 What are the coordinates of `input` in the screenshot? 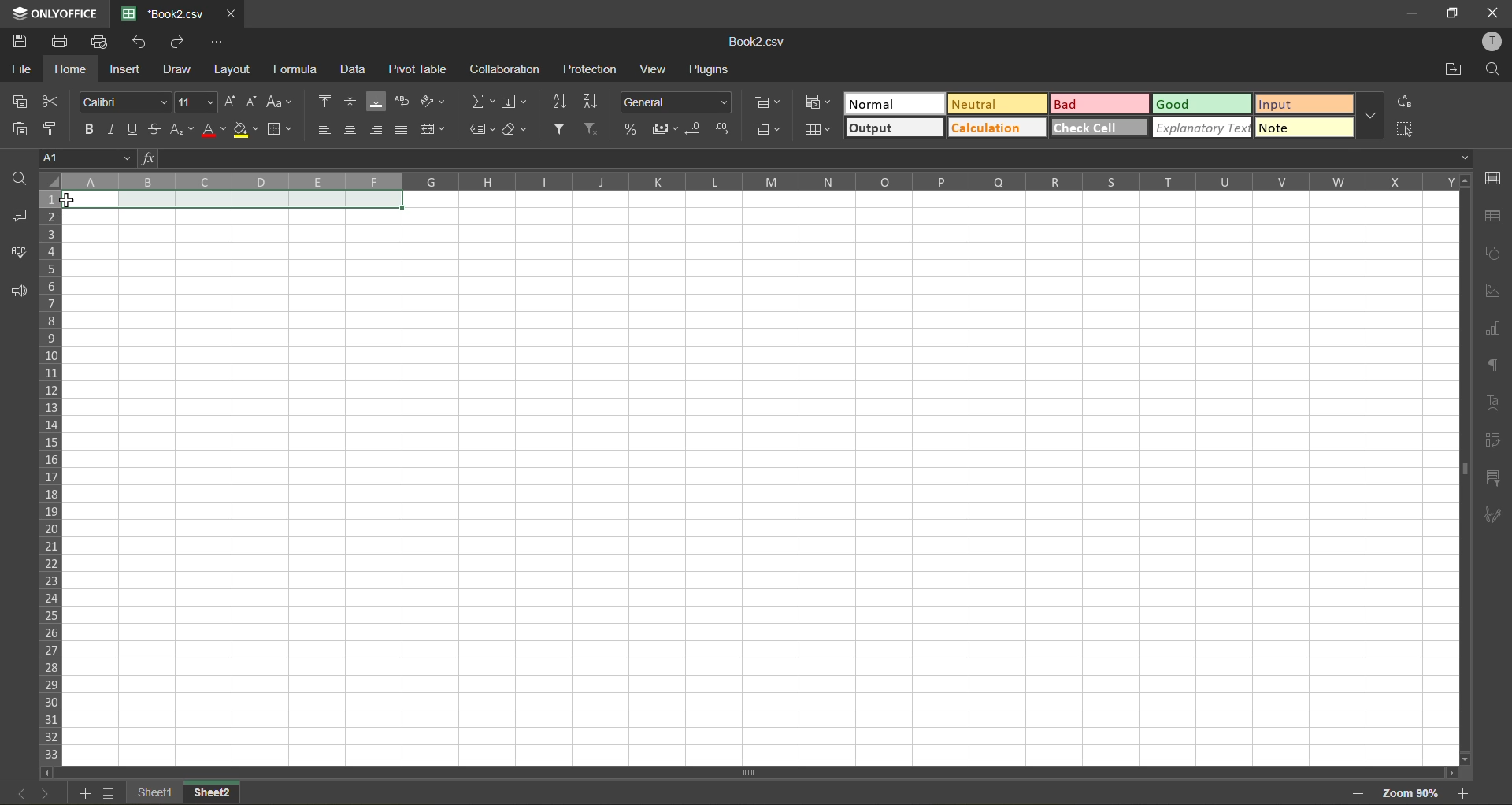 It's located at (1303, 103).